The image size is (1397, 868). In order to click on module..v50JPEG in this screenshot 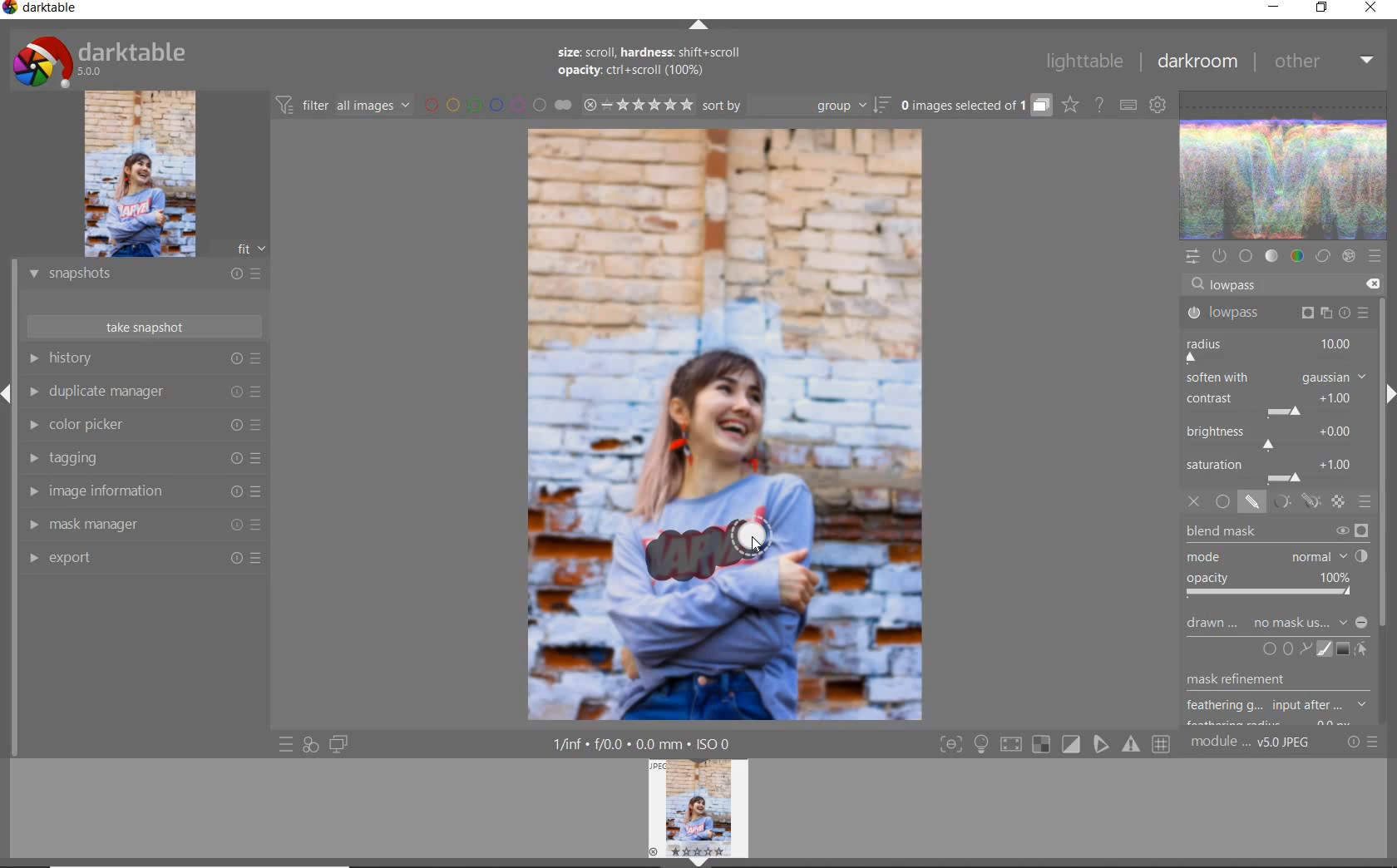, I will do `click(1253, 743)`.